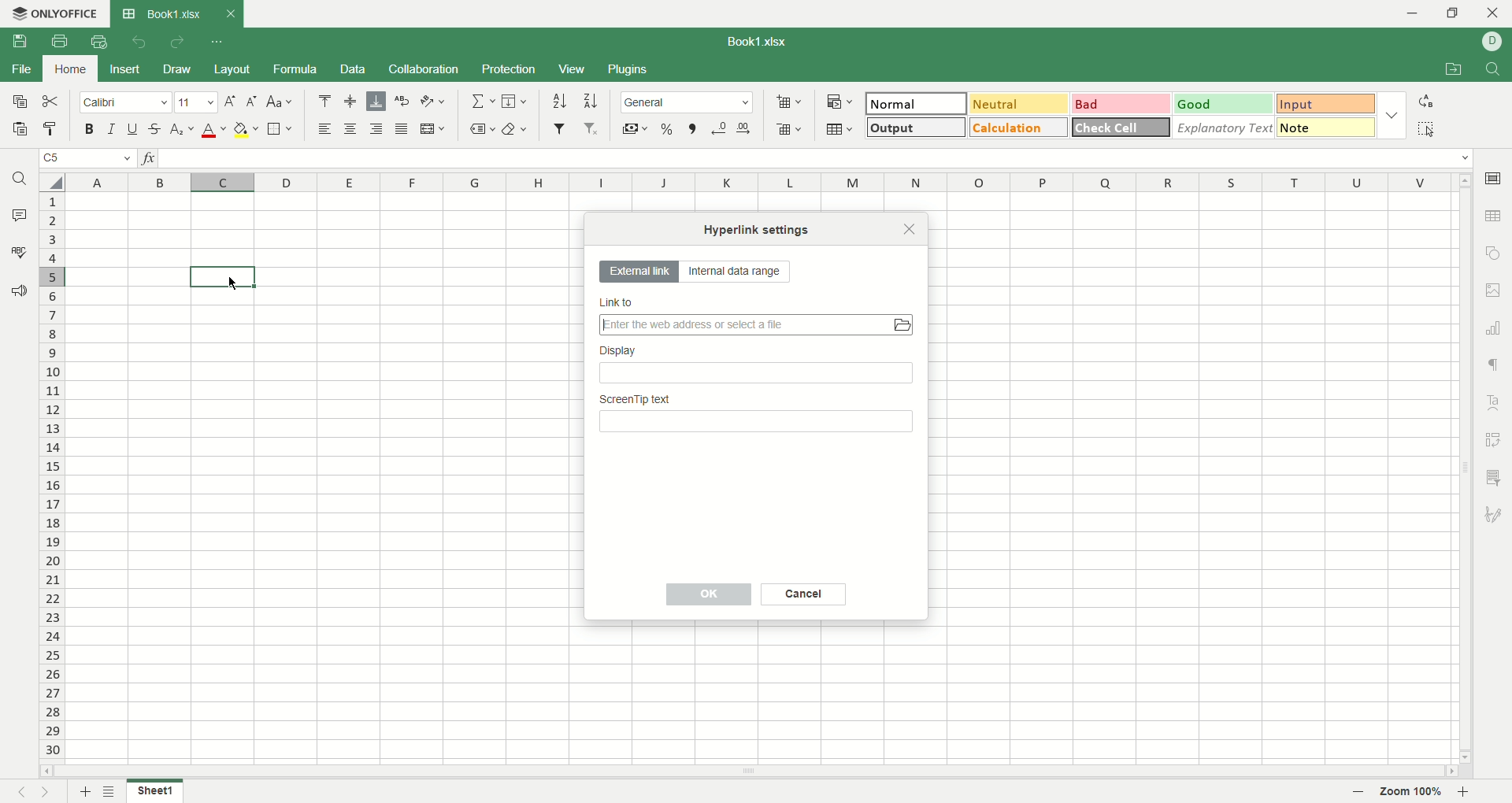 The image size is (1512, 803). What do you see at coordinates (804, 595) in the screenshot?
I see `cancel` at bounding box center [804, 595].